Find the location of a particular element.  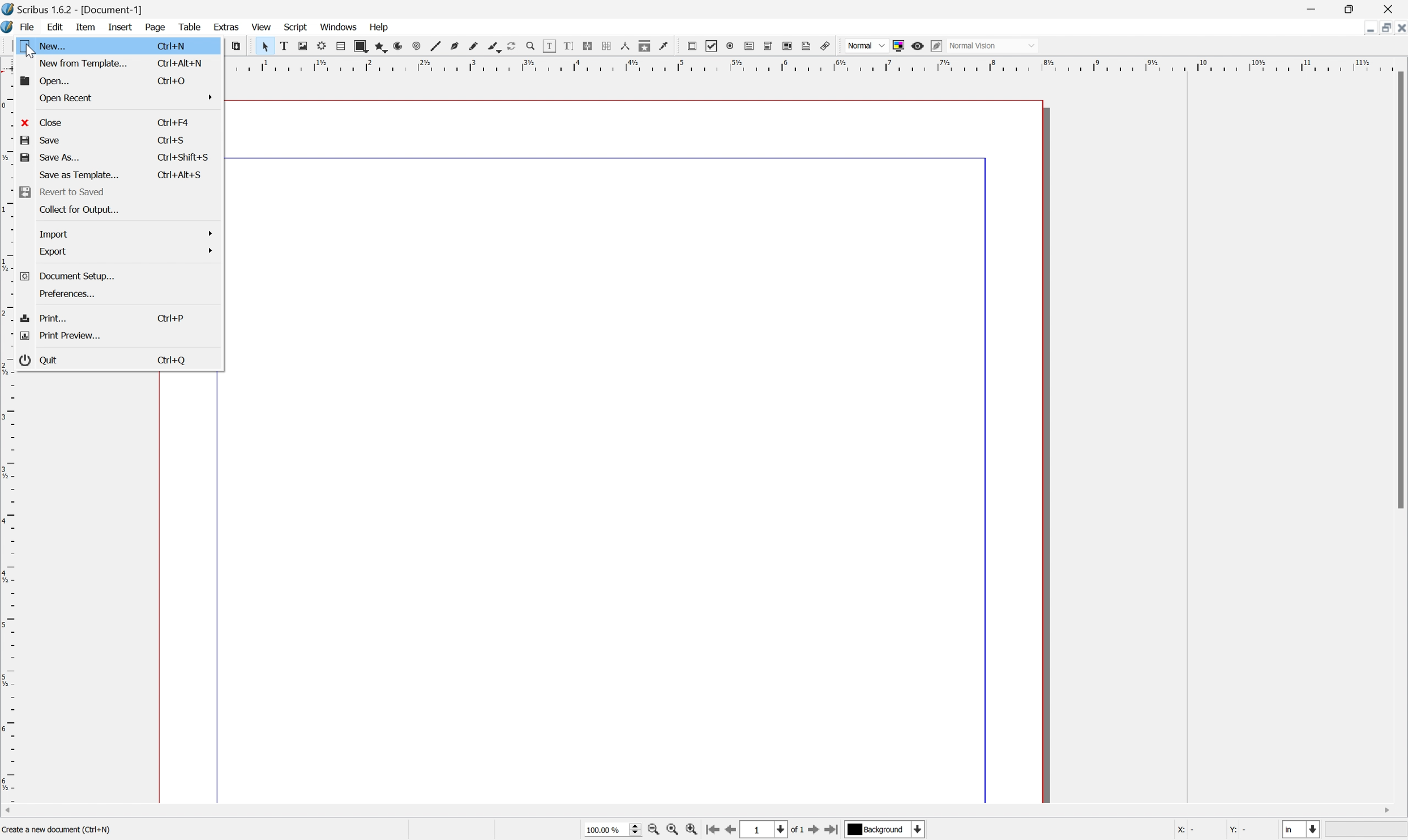

go to last page is located at coordinates (833, 830).